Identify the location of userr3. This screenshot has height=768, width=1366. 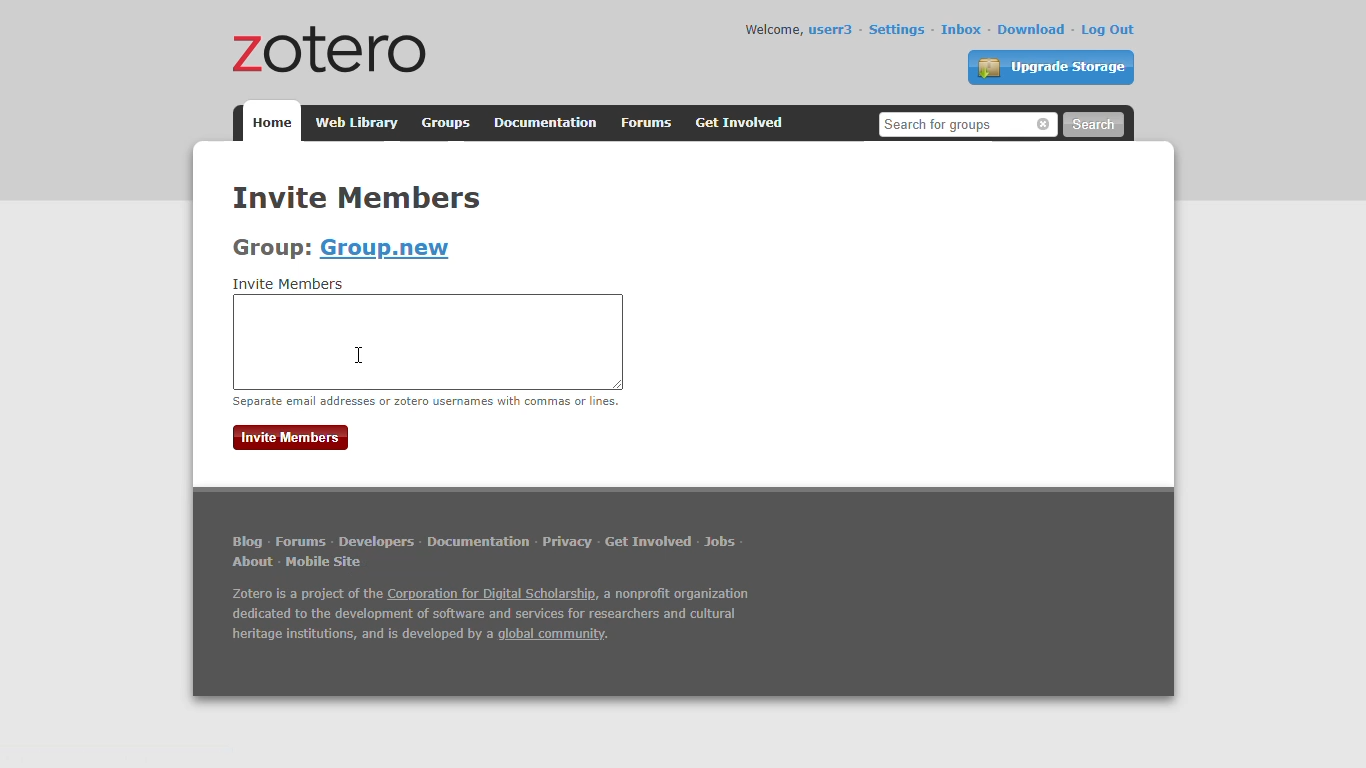
(830, 30).